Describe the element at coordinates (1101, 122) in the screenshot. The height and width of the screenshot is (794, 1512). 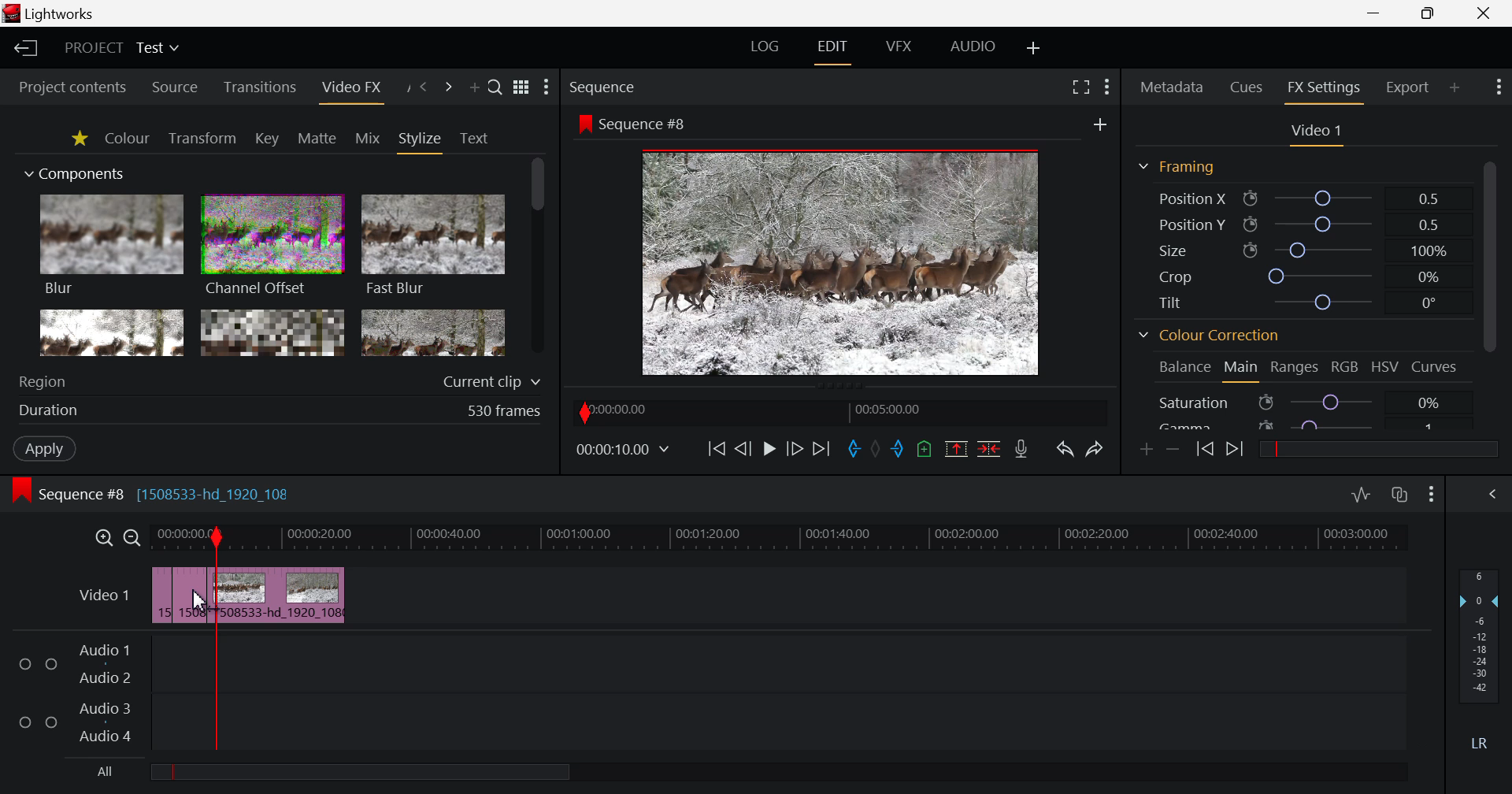
I see `add` at that location.